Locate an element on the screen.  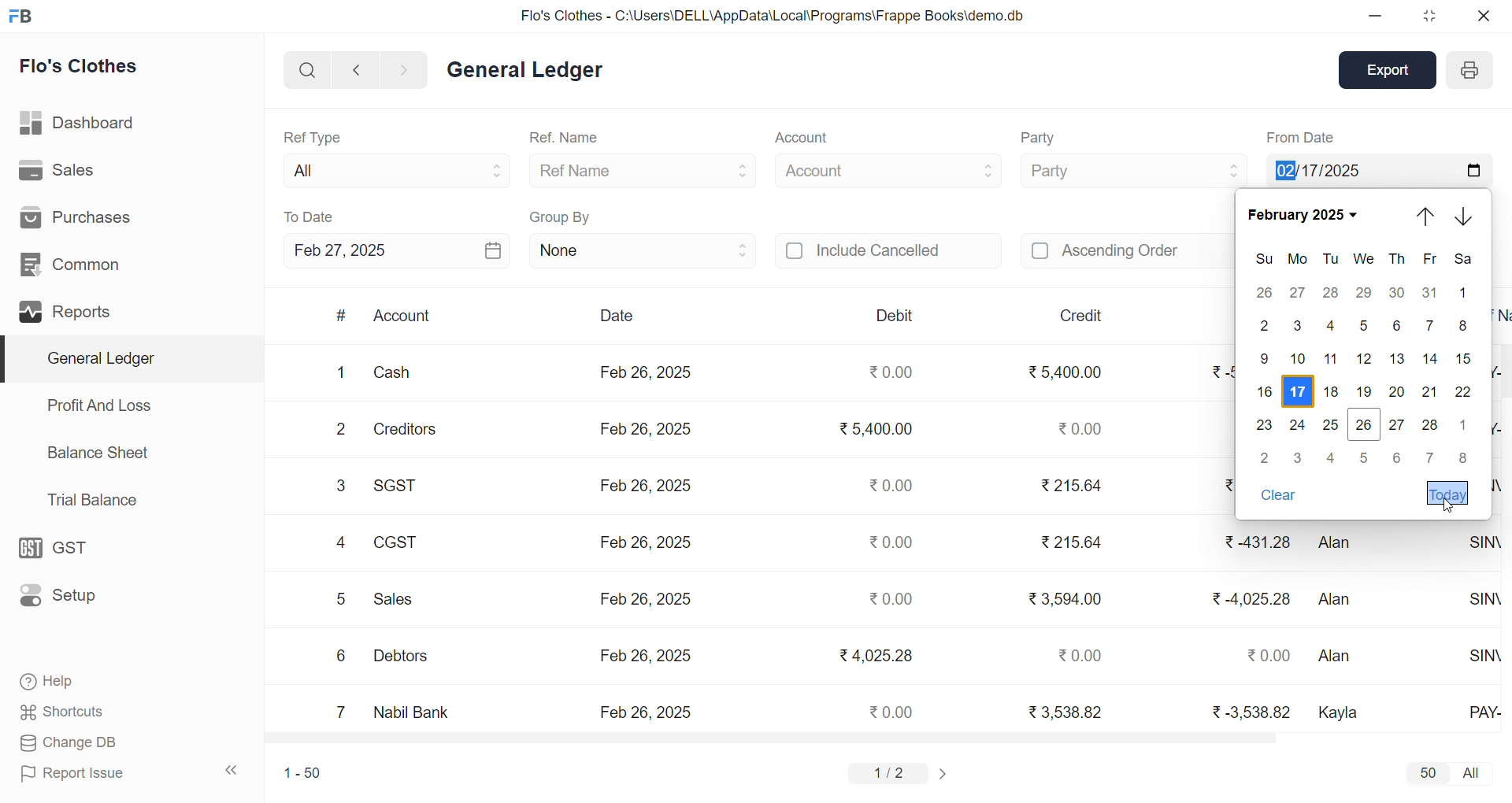
14 is located at coordinates (1427, 358).